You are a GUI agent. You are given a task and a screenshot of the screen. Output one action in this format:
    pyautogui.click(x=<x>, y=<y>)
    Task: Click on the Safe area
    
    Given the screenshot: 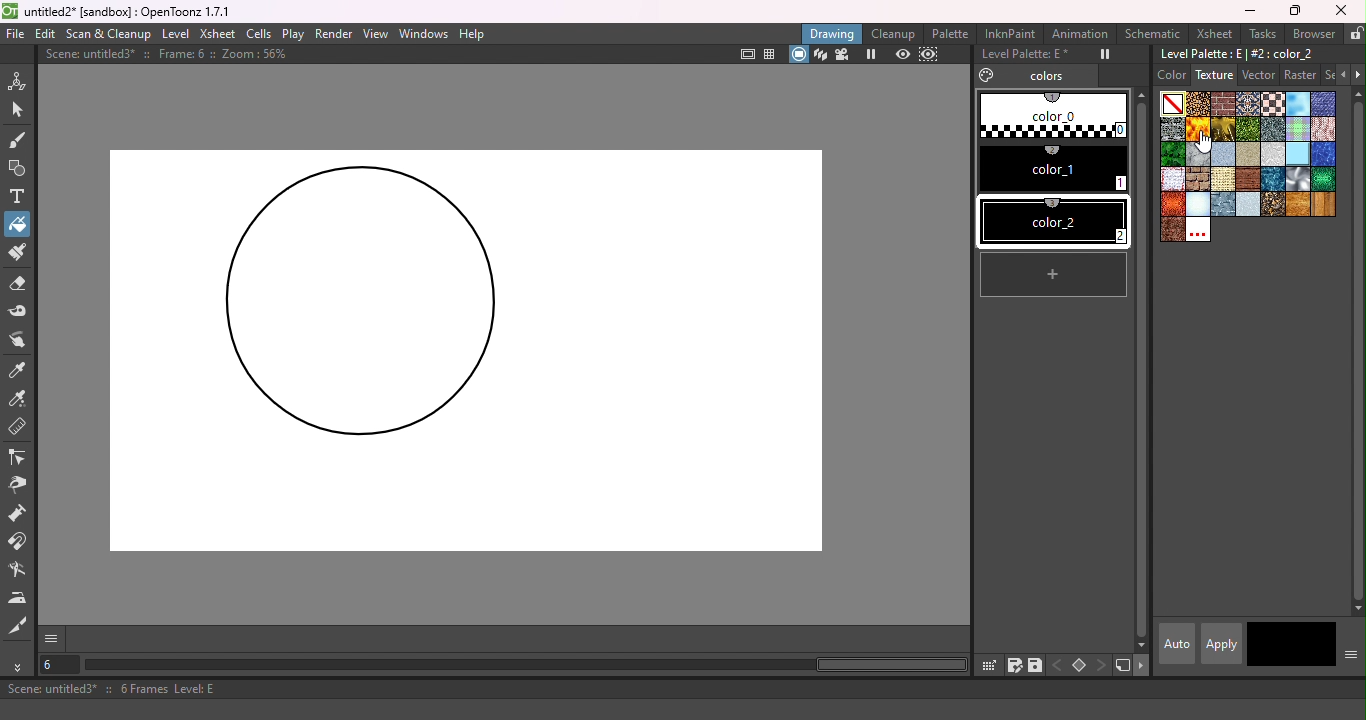 What is the action you would take?
    pyautogui.click(x=748, y=55)
    